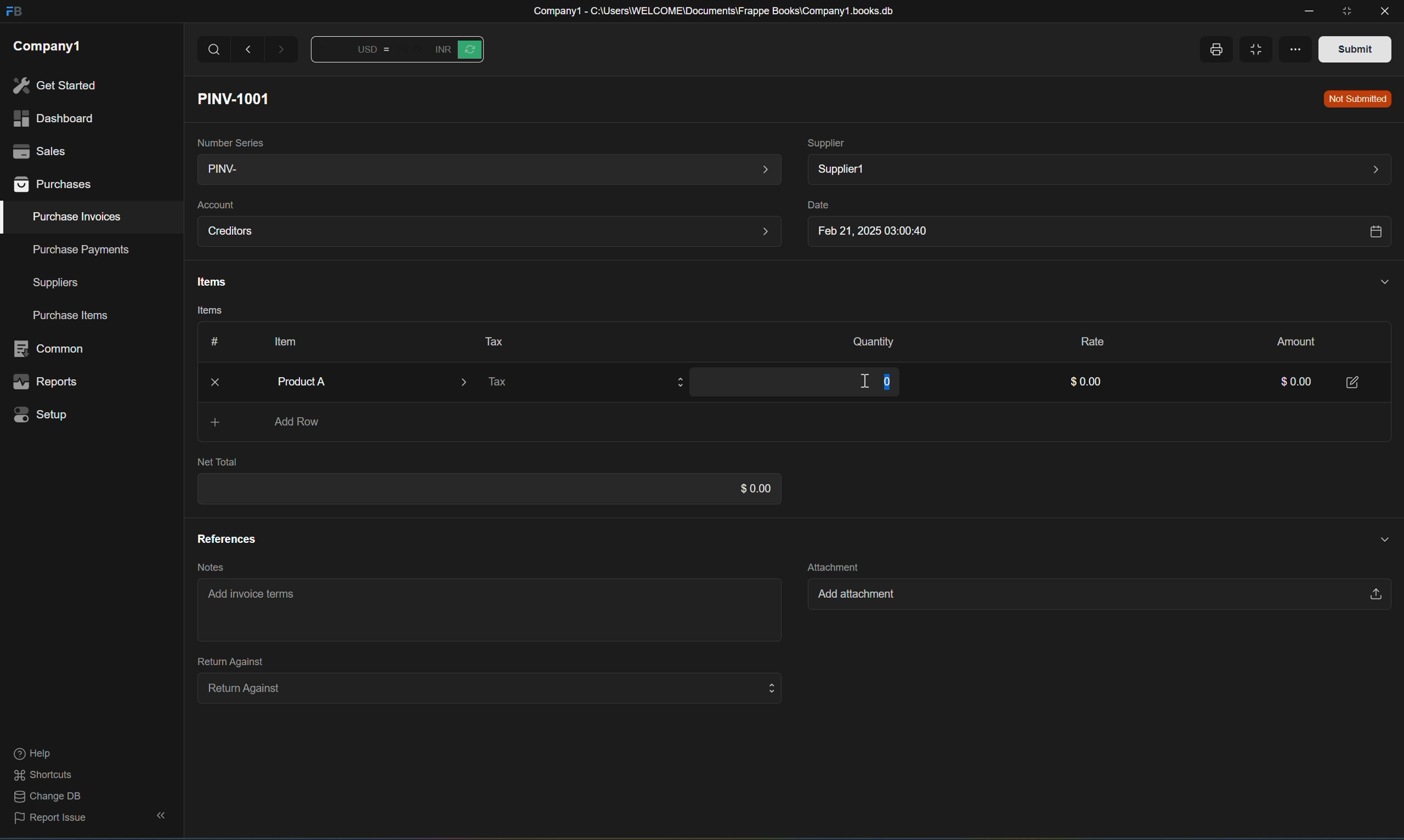 This screenshot has height=840, width=1404. I want to click on change DB, so click(44, 798).